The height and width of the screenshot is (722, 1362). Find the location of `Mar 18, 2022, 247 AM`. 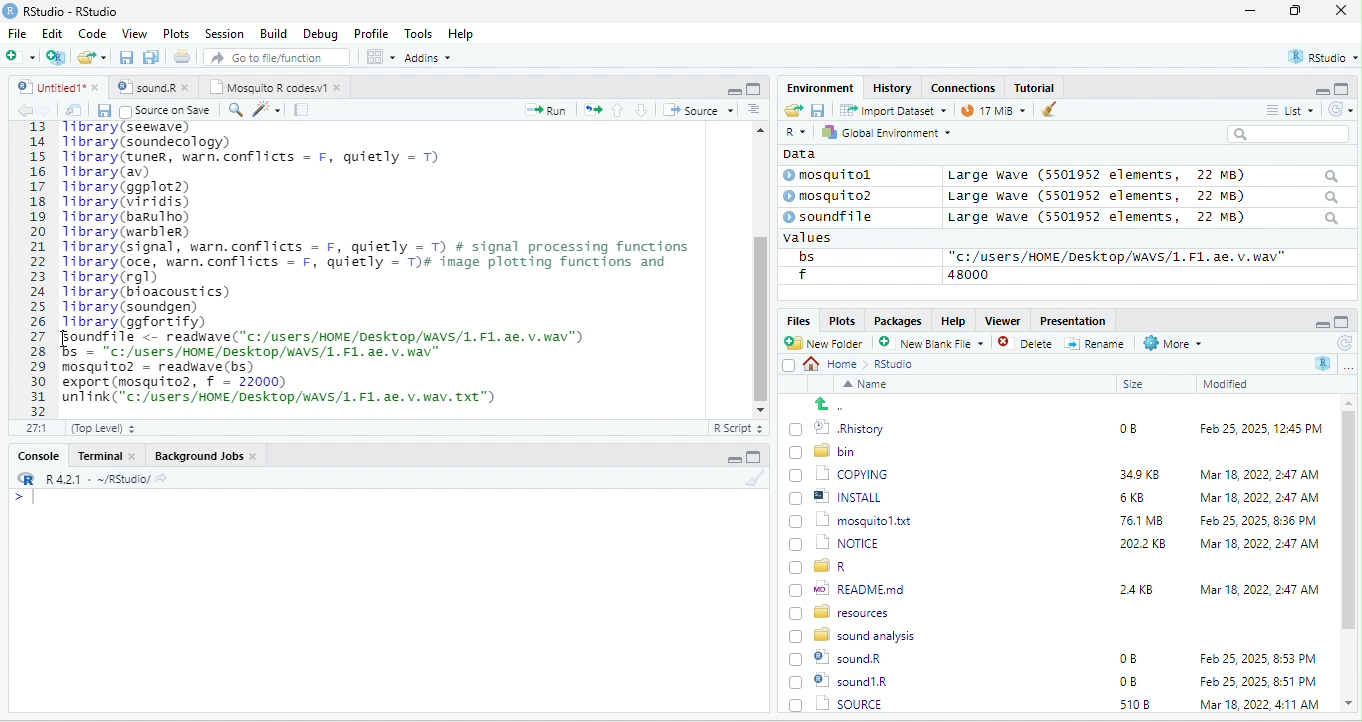

Mar 18, 2022, 247 AM is located at coordinates (1260, 474).